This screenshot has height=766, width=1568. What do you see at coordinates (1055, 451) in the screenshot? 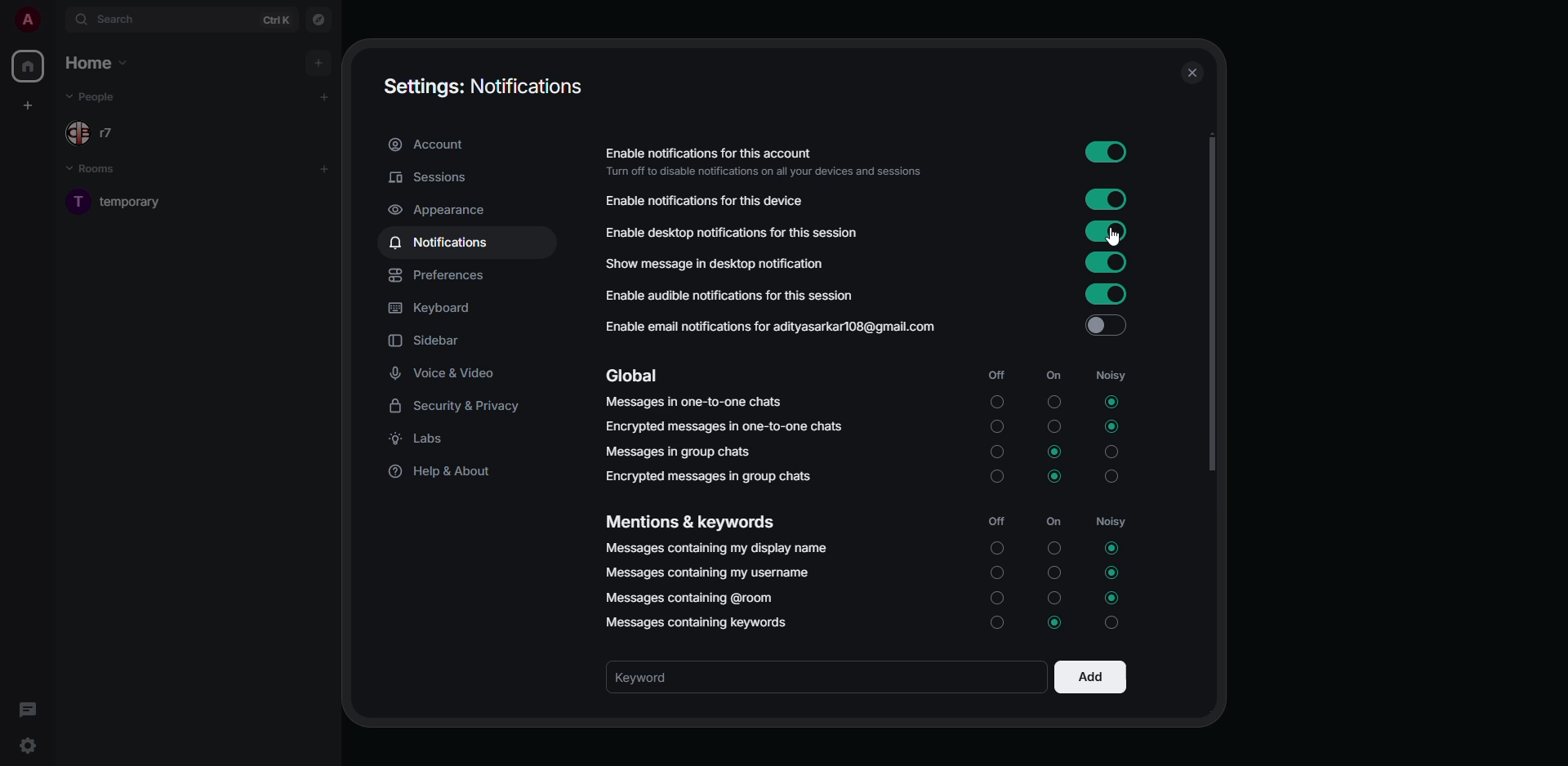
I see `selected` at bounding box center [1055, 451].